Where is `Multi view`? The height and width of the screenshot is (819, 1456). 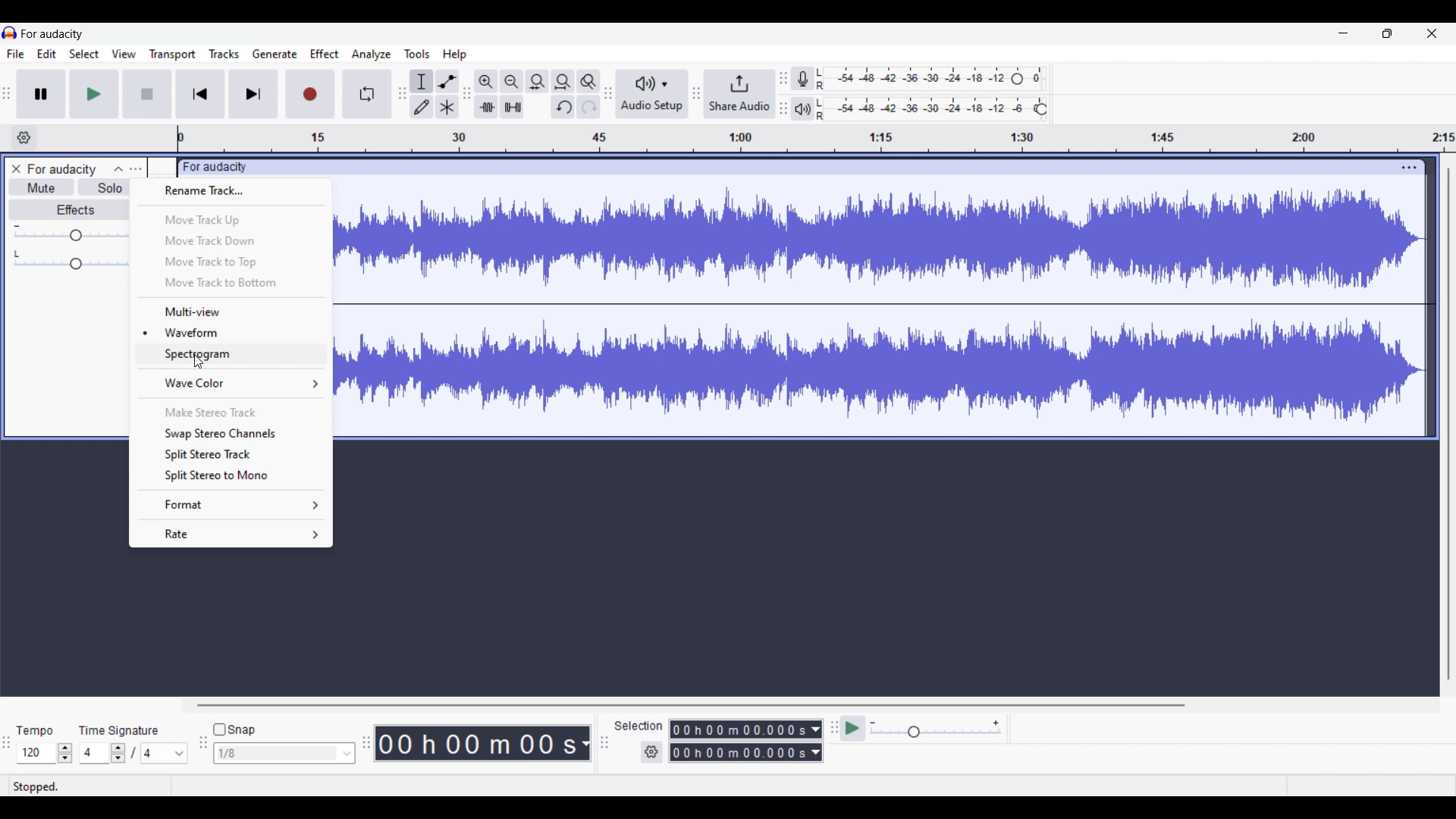
Multi view is located at coordinates (231, 311).